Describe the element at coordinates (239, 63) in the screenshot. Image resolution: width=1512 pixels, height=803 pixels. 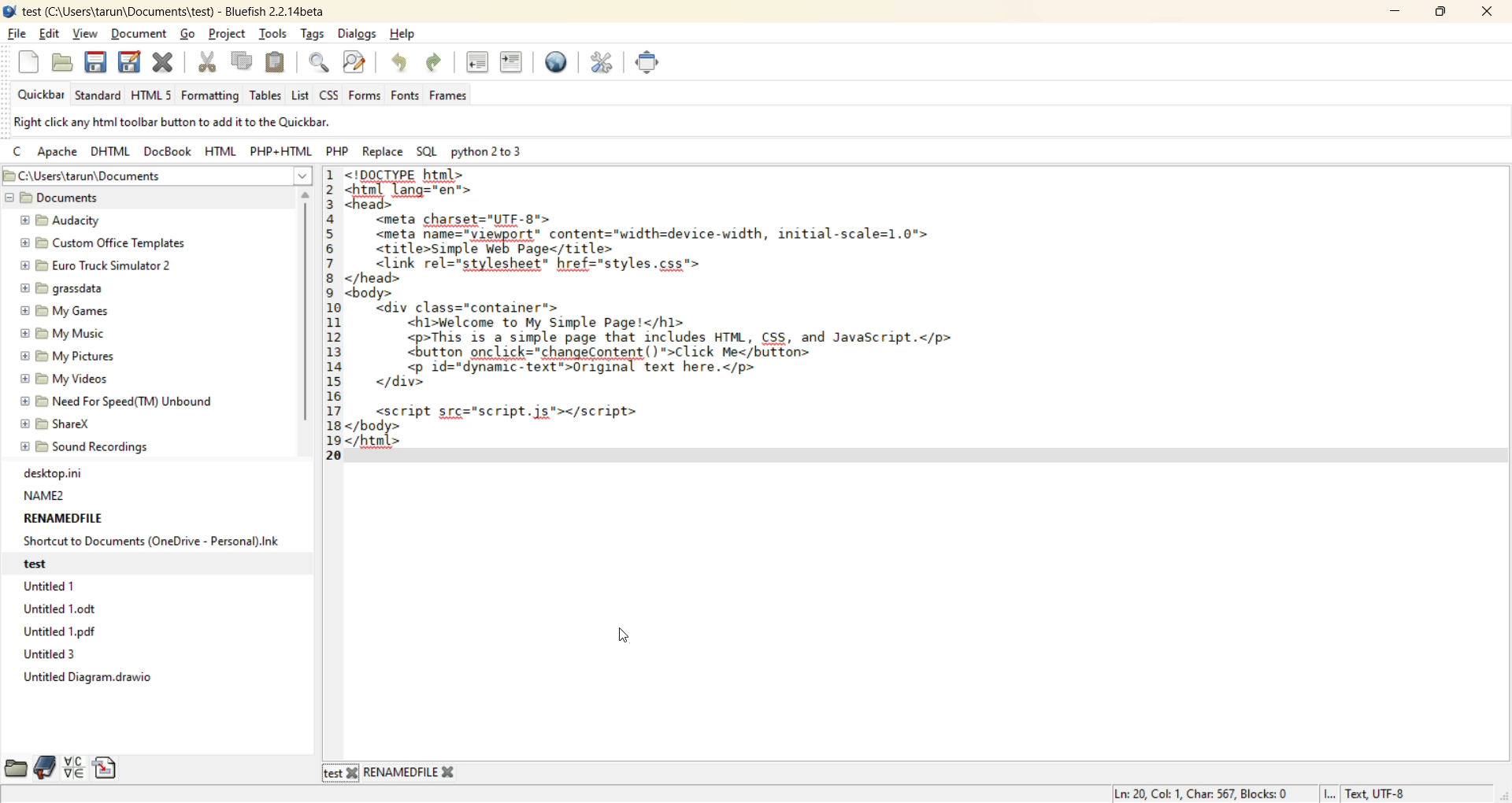
I see `copy` at that location.